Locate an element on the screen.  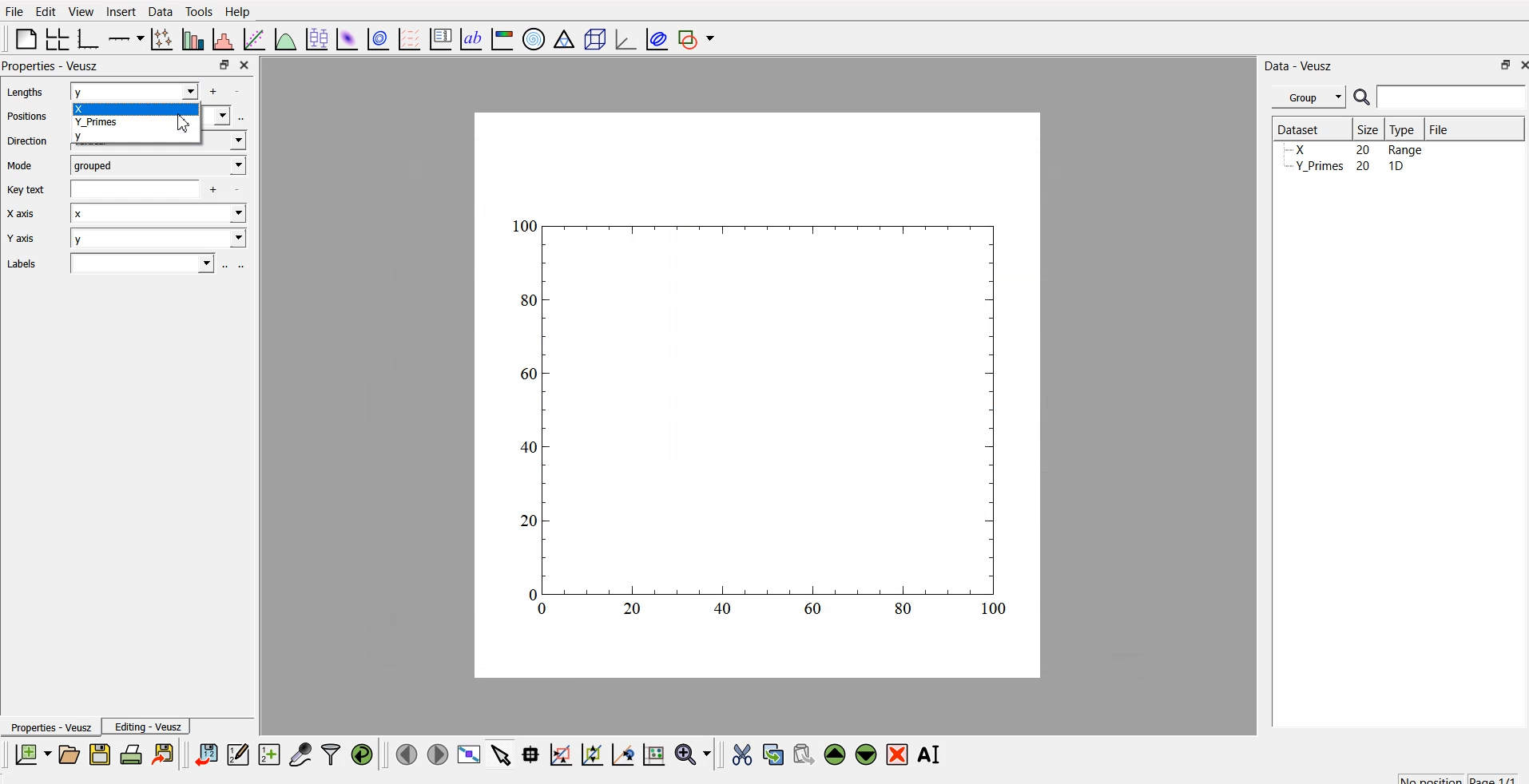
new document is located at coordinates (30, 754).